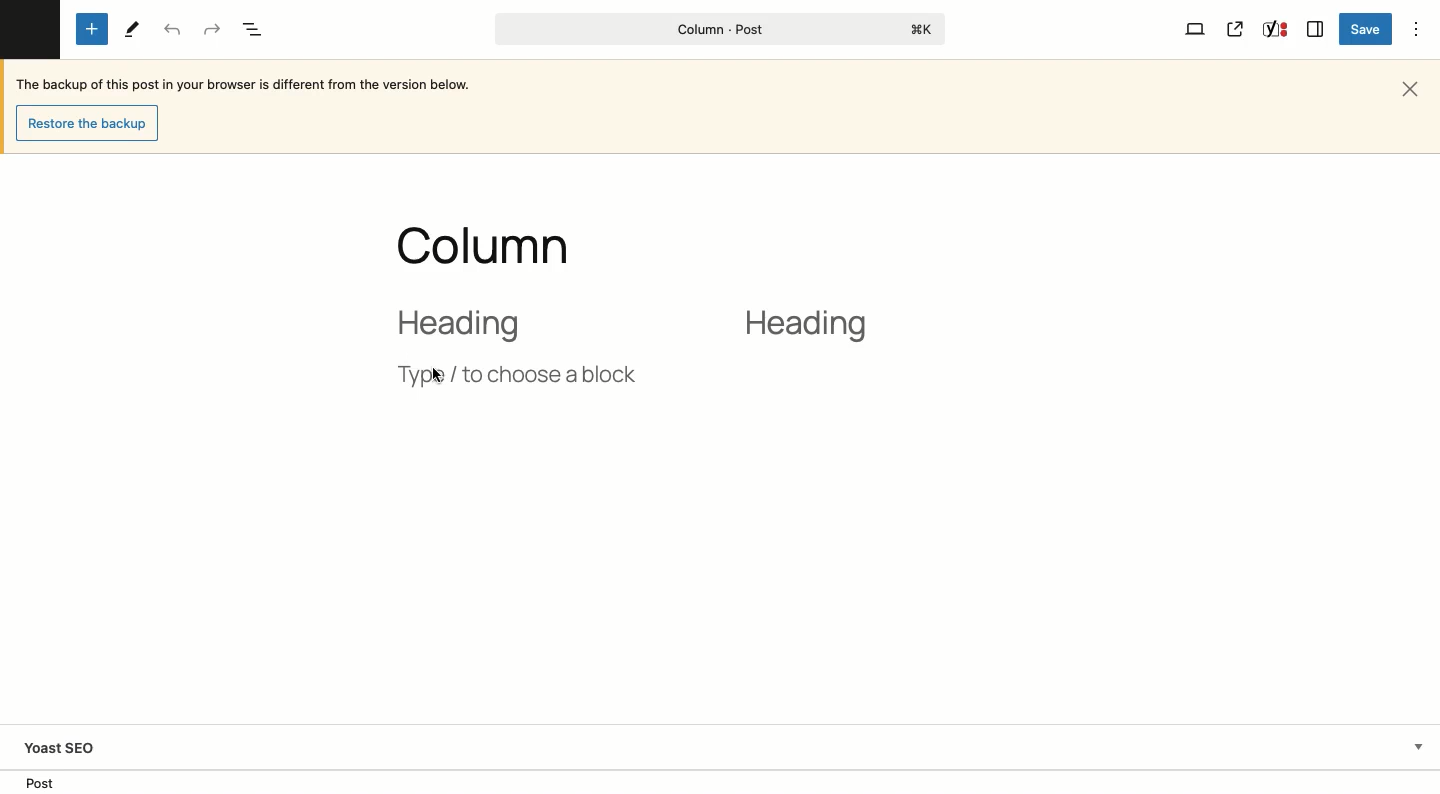  What do you see at coordinates (722, 782) in the screenshot?
I see `Location` at bounding box center [722, 782].